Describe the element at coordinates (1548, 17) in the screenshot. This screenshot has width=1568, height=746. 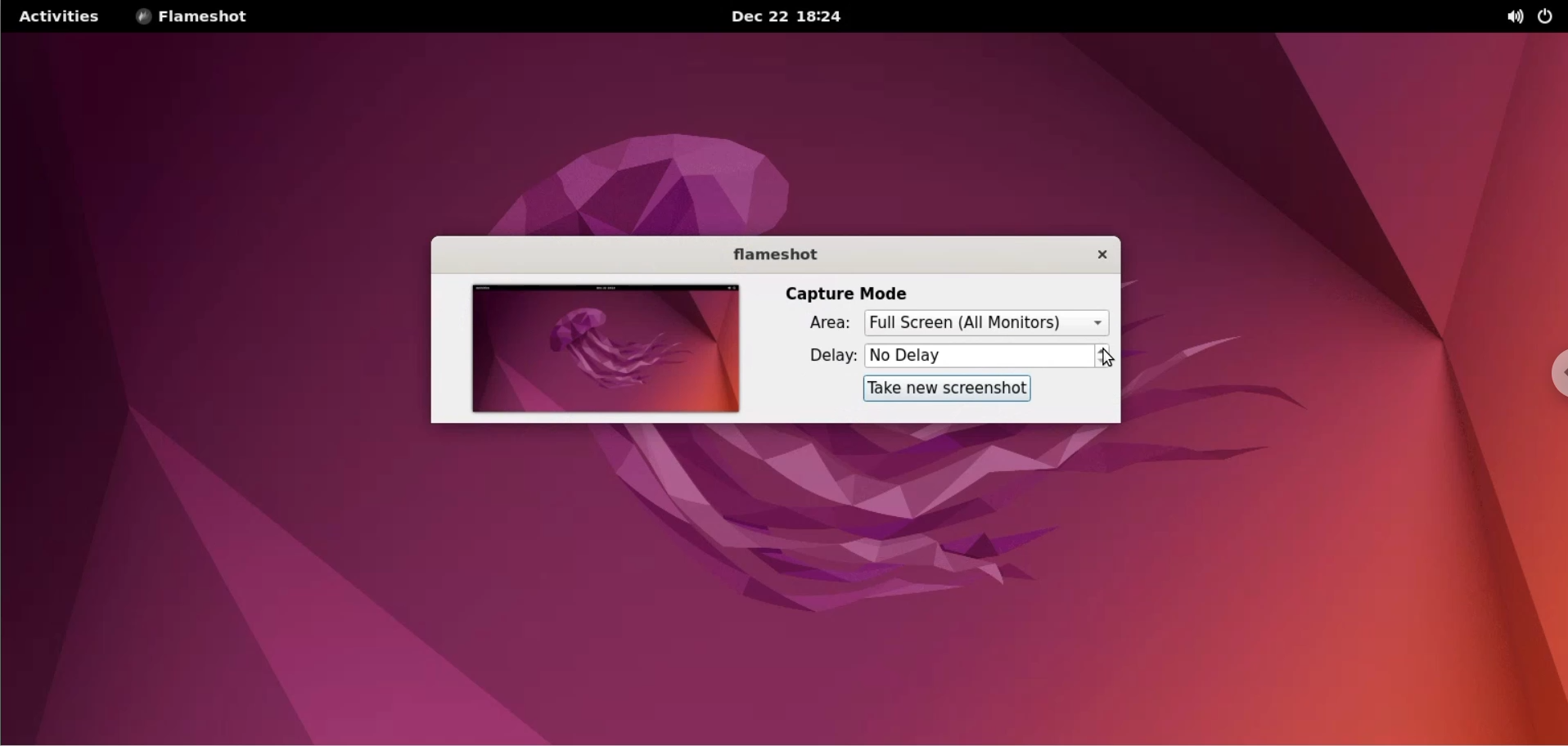
I see `power settings` at that location.